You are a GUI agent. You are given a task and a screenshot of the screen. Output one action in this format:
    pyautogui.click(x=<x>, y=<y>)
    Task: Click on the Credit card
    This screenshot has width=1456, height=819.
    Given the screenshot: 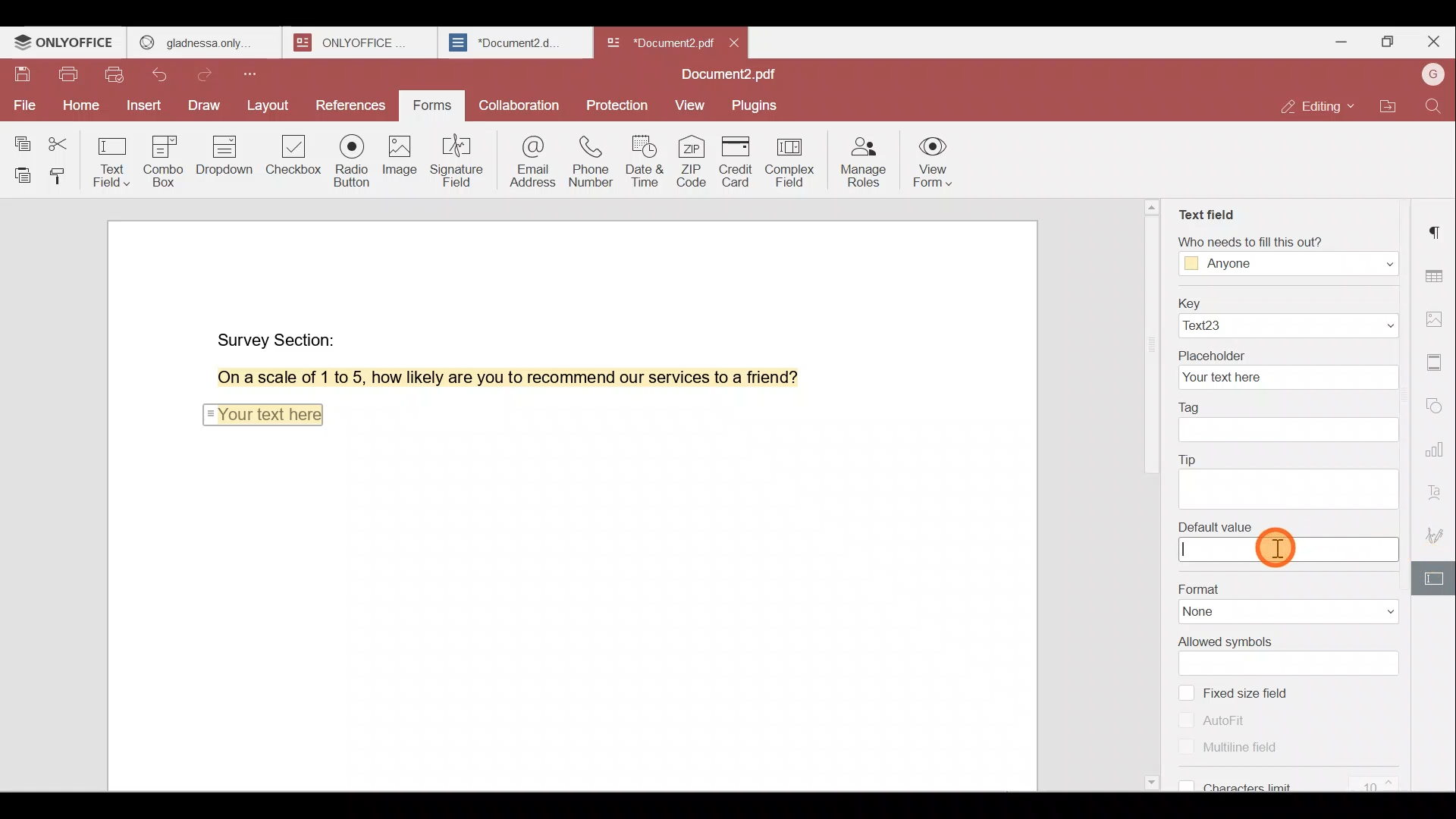 What is the action you would take?
    pyautogui.click(x=740, y=162)
    